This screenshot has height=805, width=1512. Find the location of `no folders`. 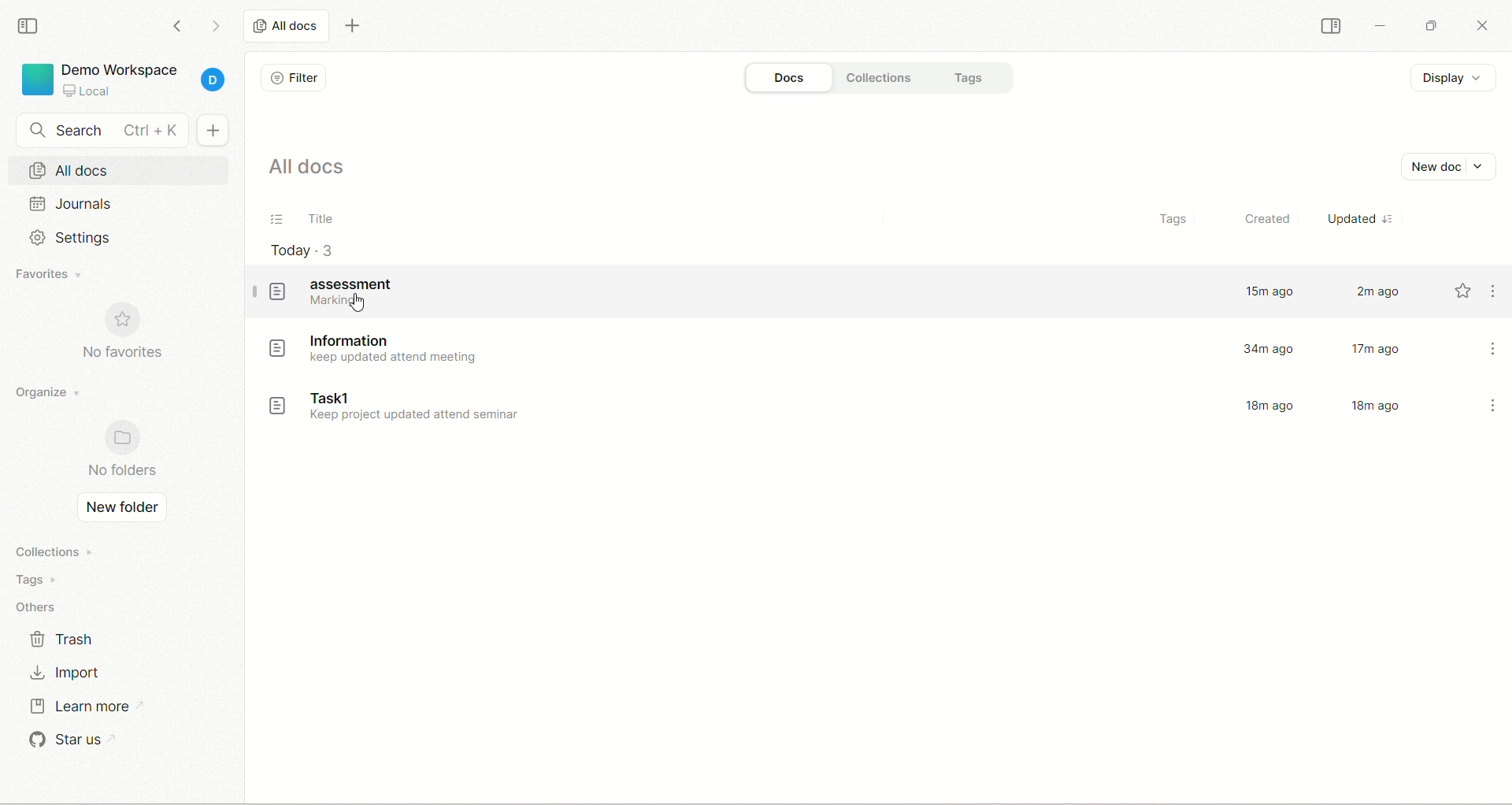

no folders is located at coordinates (124, 473).